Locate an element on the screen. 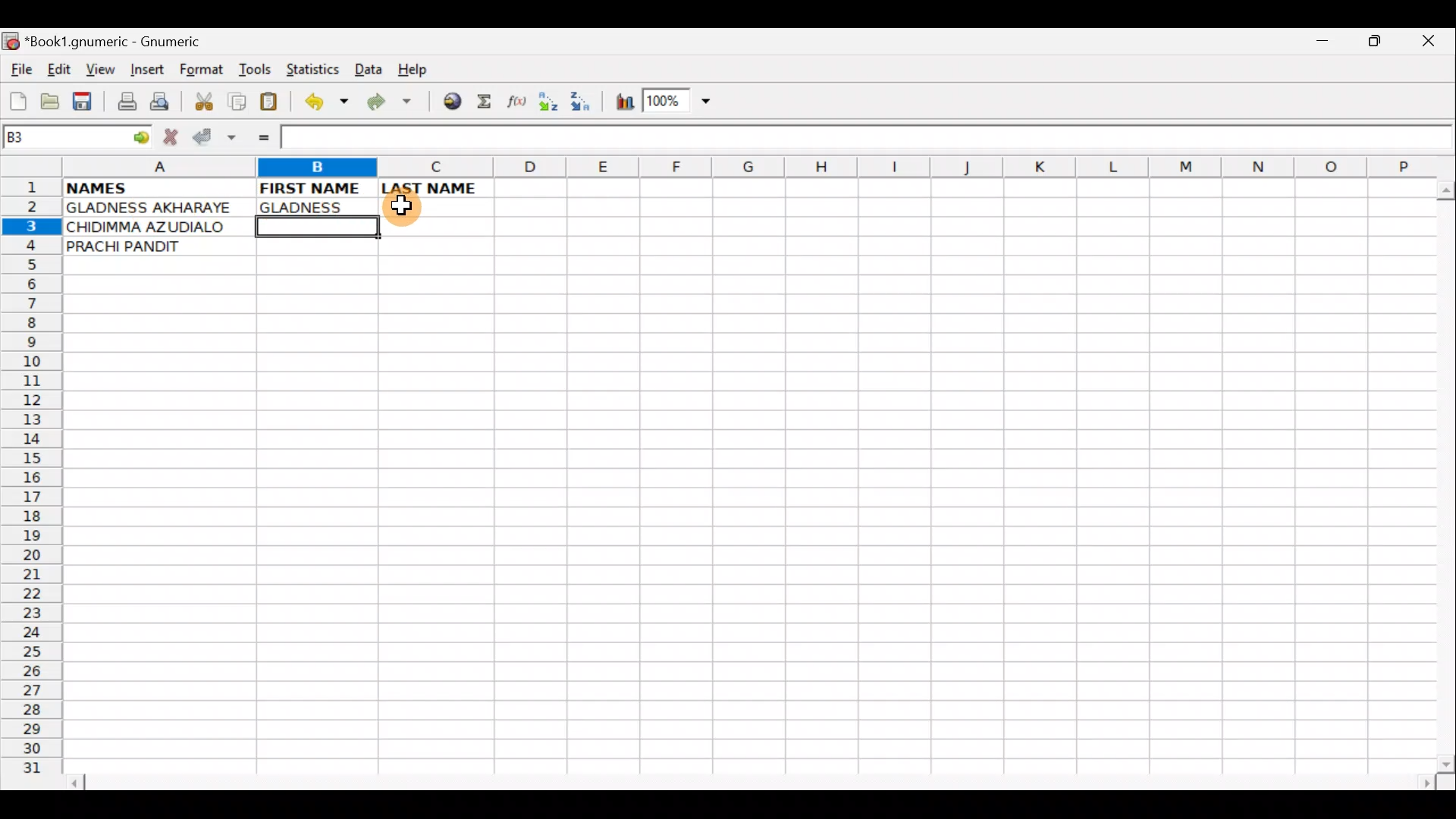  Accept change is located at coordinates (215, 137).